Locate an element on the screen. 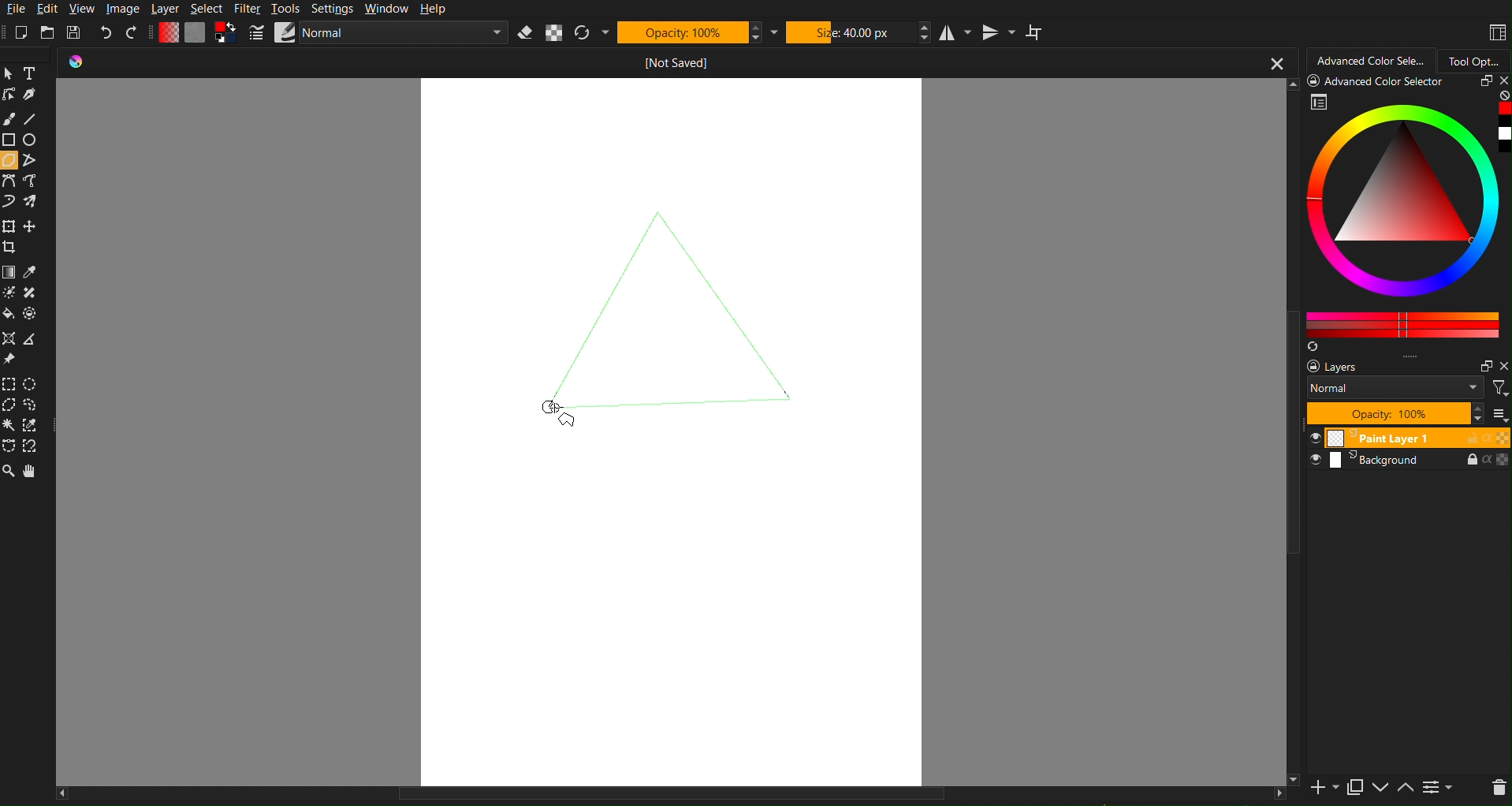  Opacity: 100% is located at coordinates (682, 32).